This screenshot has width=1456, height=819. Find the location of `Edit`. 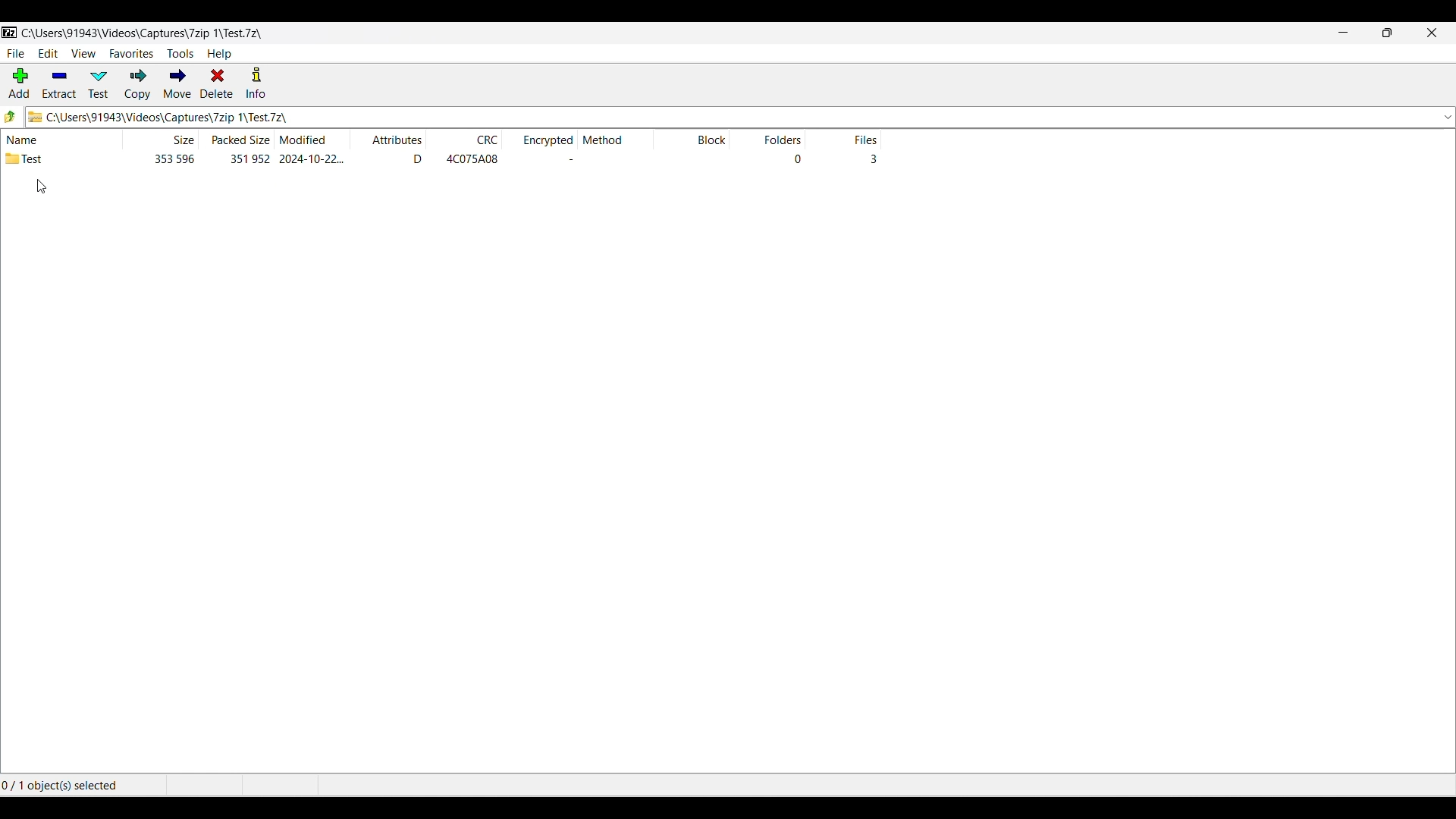

Edit is located at coordinates (49, 53).